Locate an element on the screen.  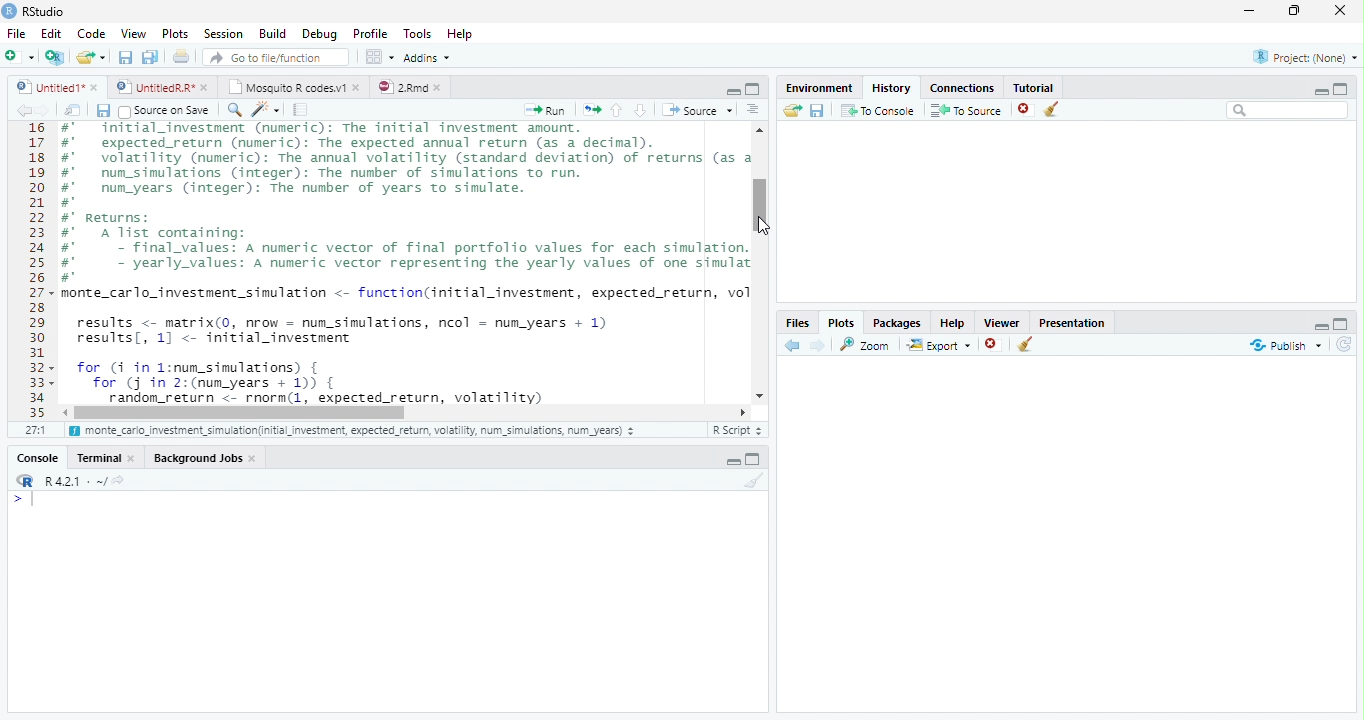
Profile is located at coordinates (369, 33).